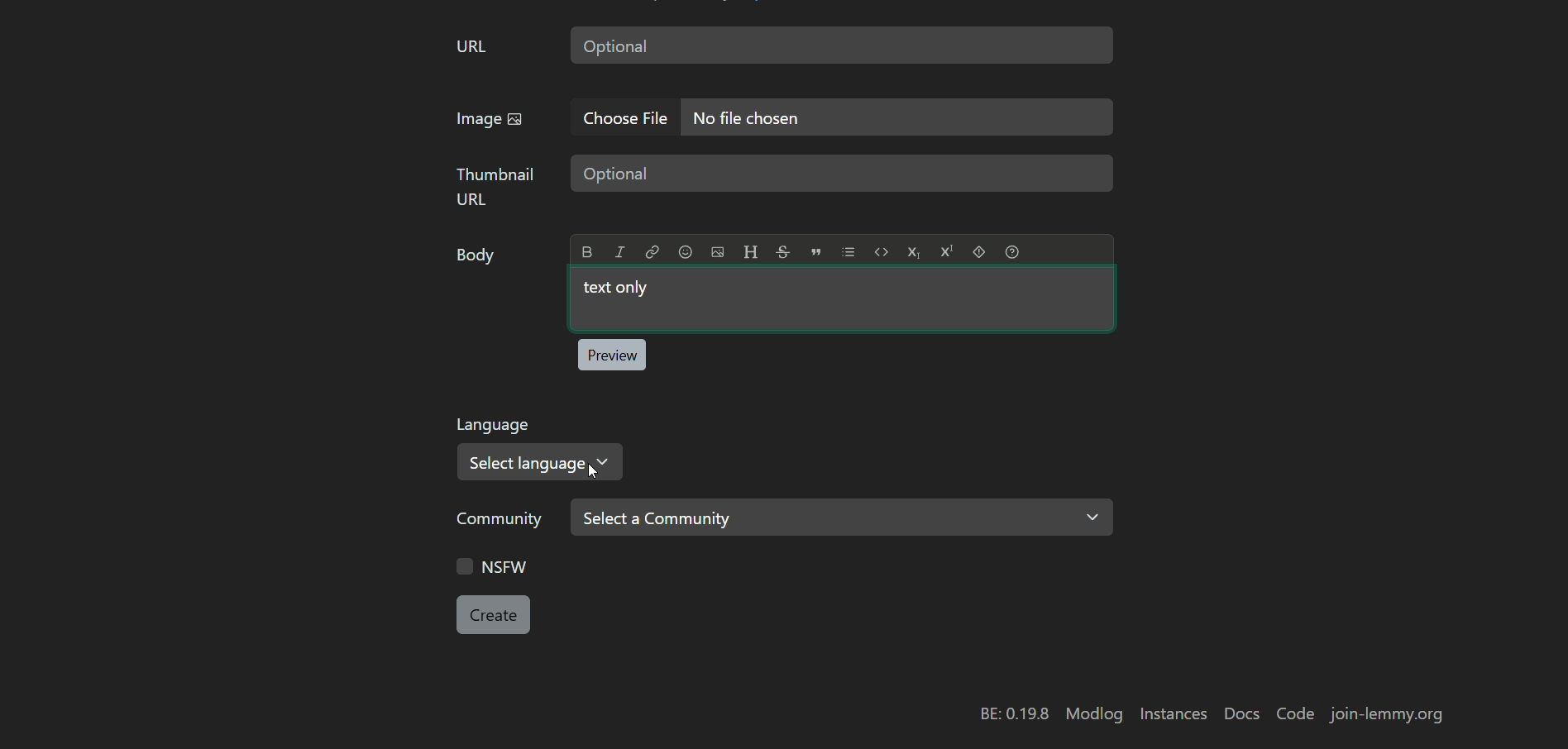  What do you see at coordinates (899, 117) in the screenshot?
I see `text box` at bounding box center [899, 117].